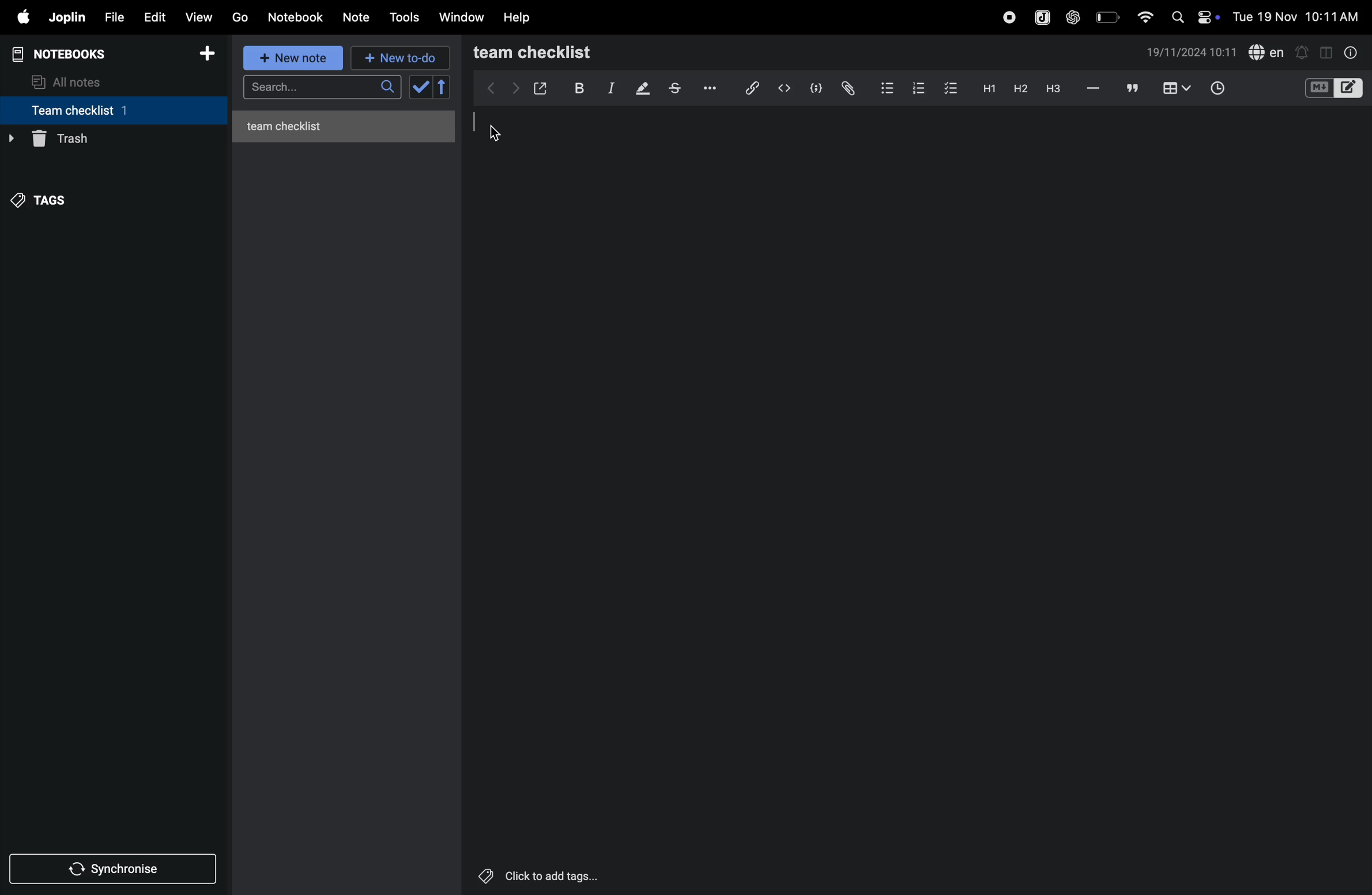  What do you see at coordinates (609, 88) in the screenshot?
I see `itallic` at bounding box center [609, 88].